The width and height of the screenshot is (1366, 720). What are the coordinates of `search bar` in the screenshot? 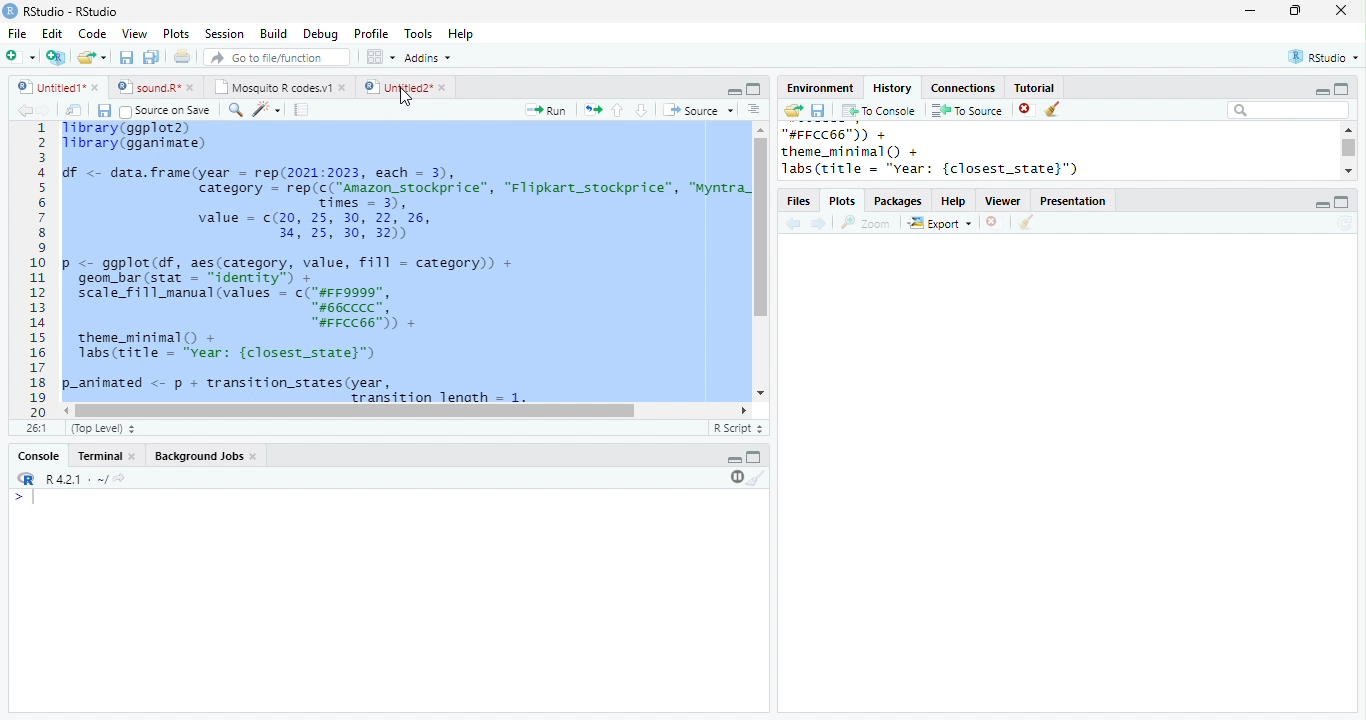 It's located at (1288, 110).